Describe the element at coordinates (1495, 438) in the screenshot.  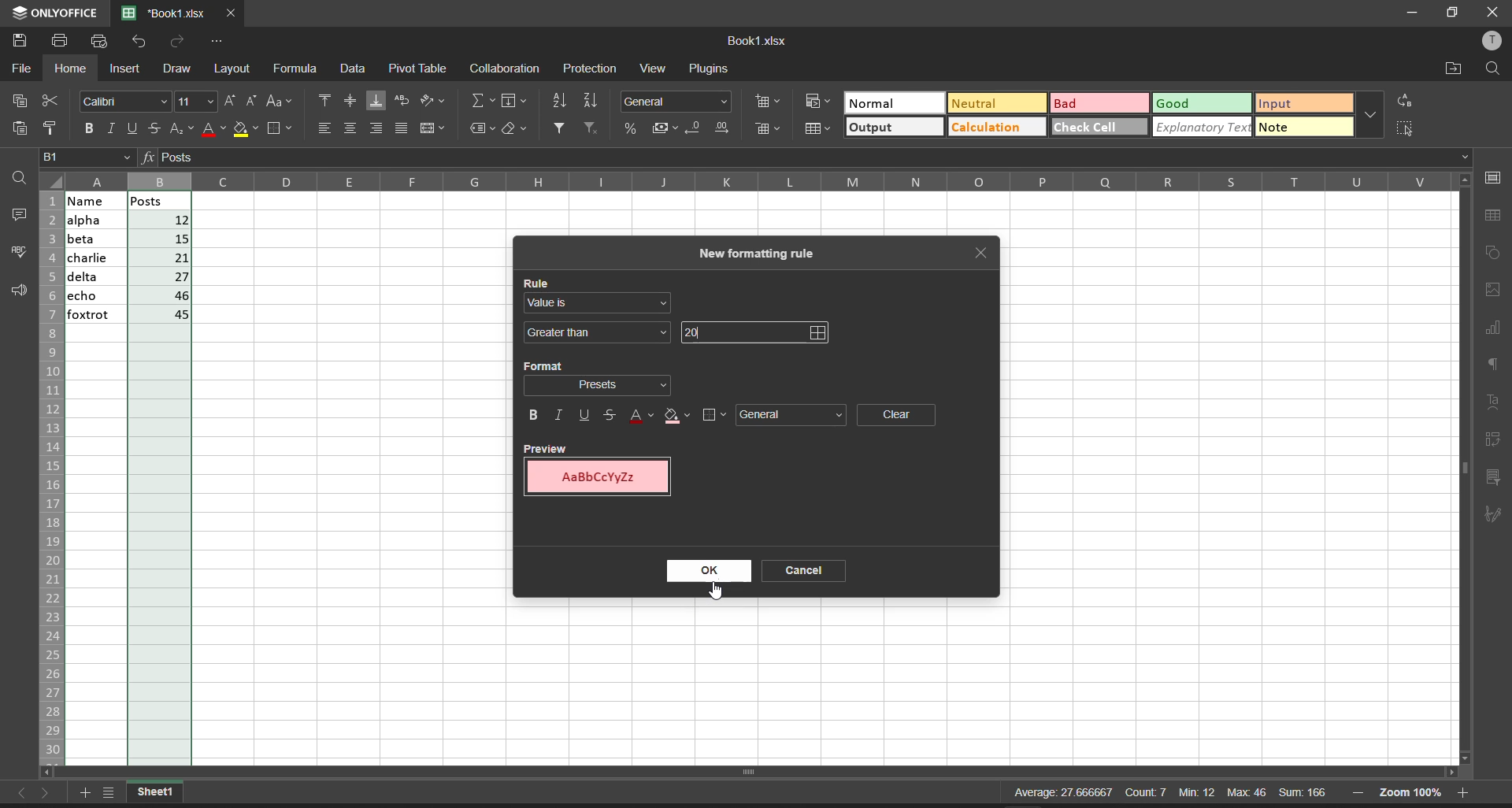
I see `pivot table settings` at that location.